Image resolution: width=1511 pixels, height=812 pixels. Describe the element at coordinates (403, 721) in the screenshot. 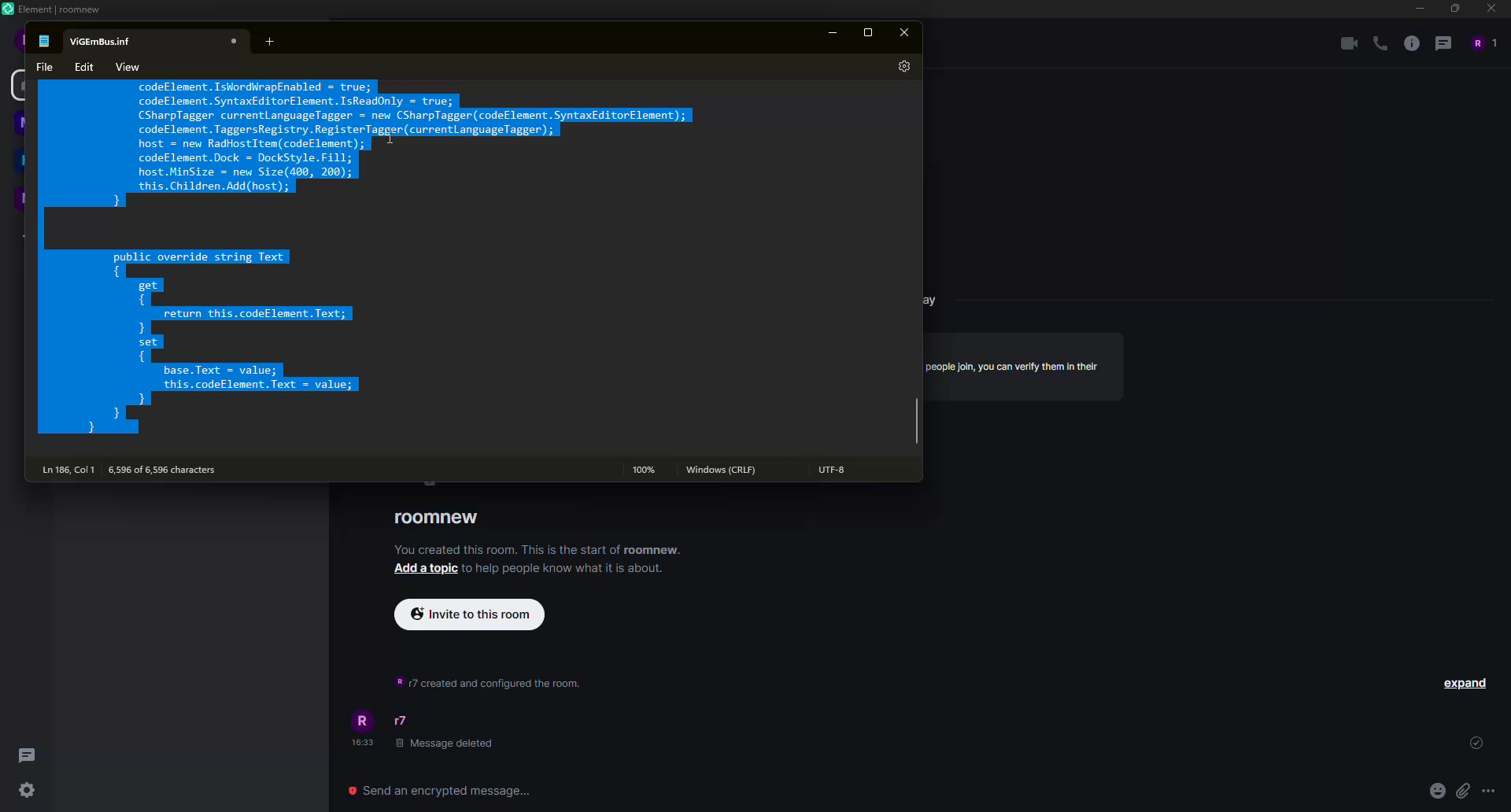

I see `r7` at that location.